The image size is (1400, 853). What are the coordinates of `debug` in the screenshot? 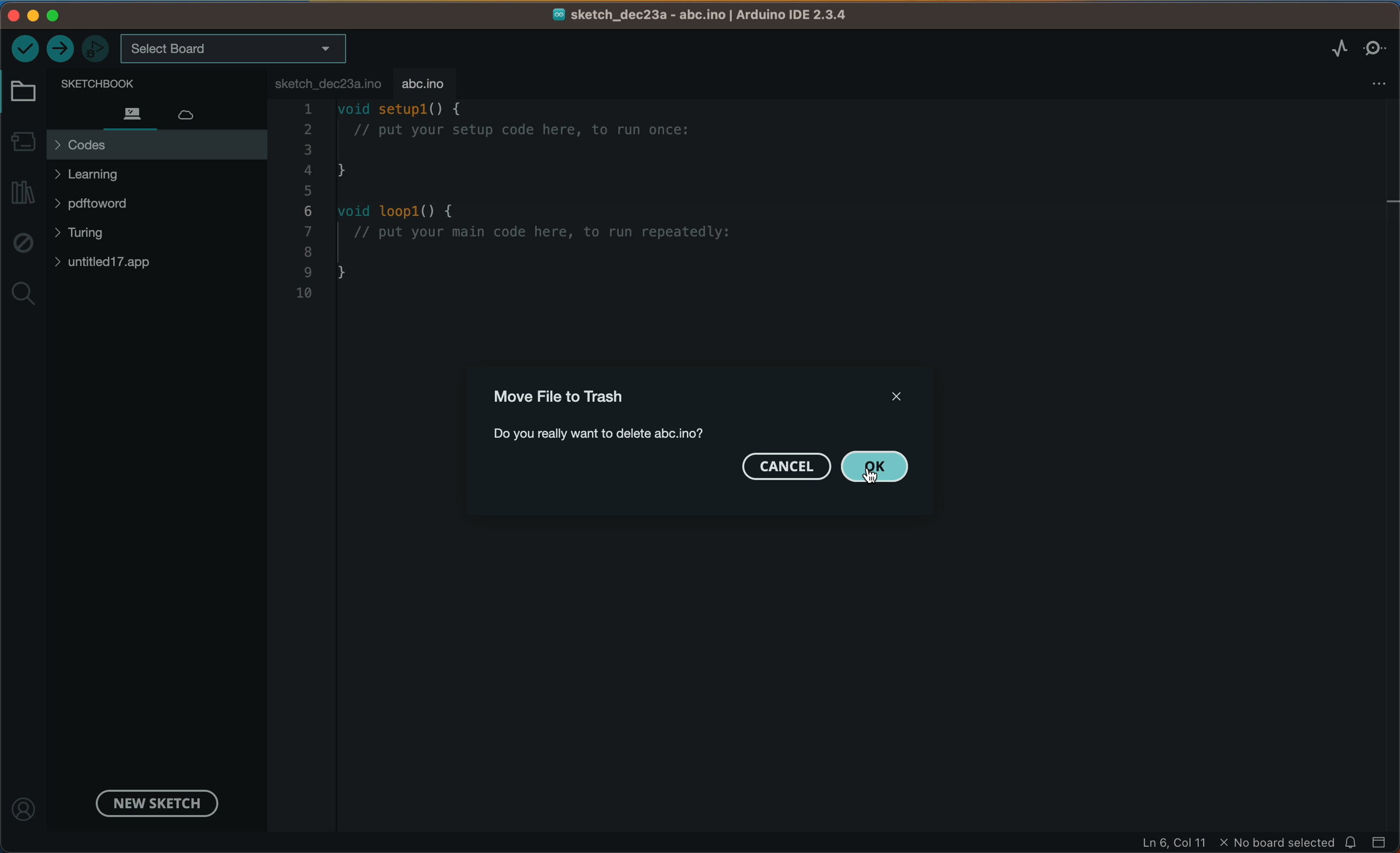 It's located at (21, 243).